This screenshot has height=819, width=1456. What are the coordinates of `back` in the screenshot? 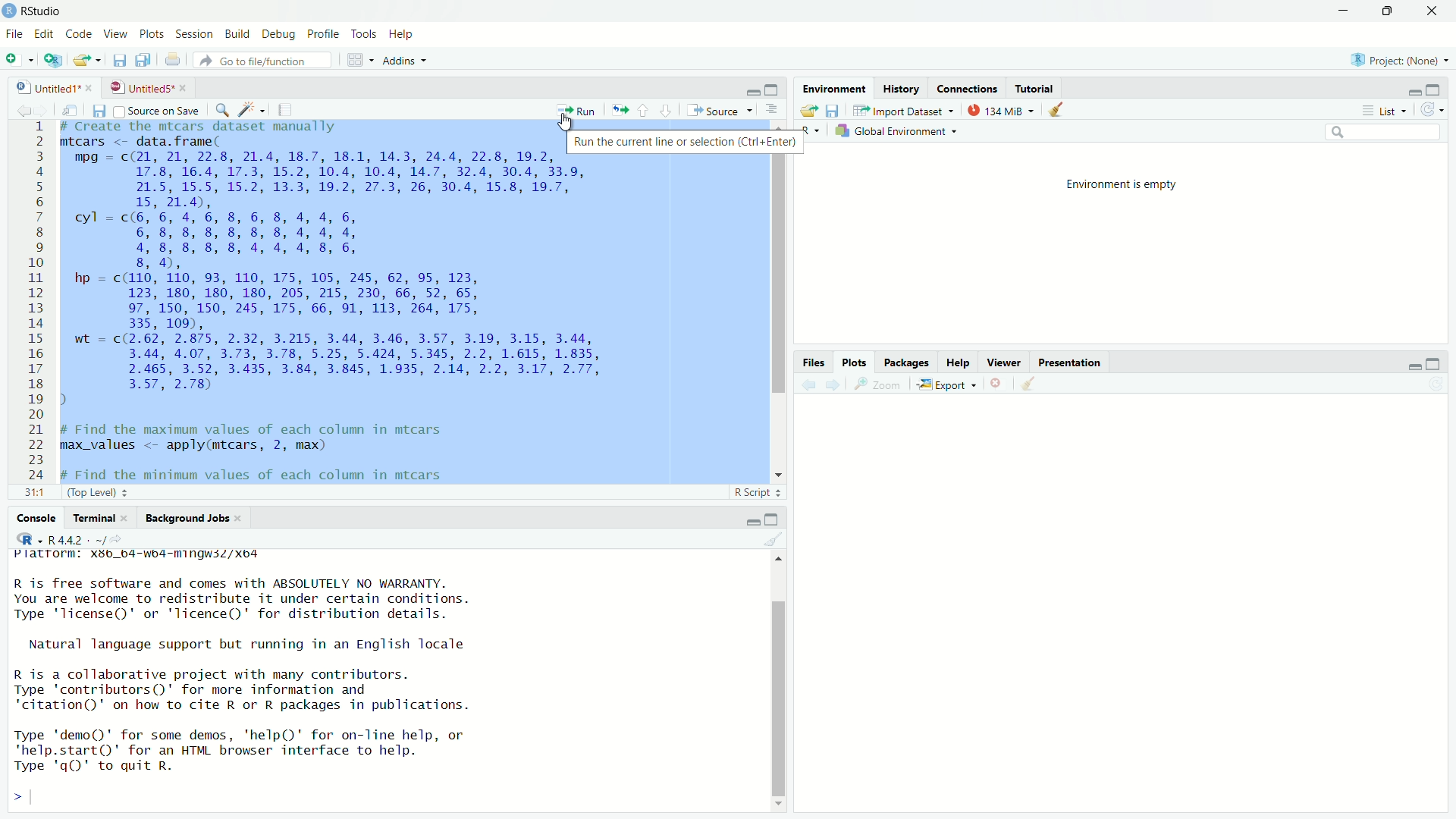 It's located at (23, 108).